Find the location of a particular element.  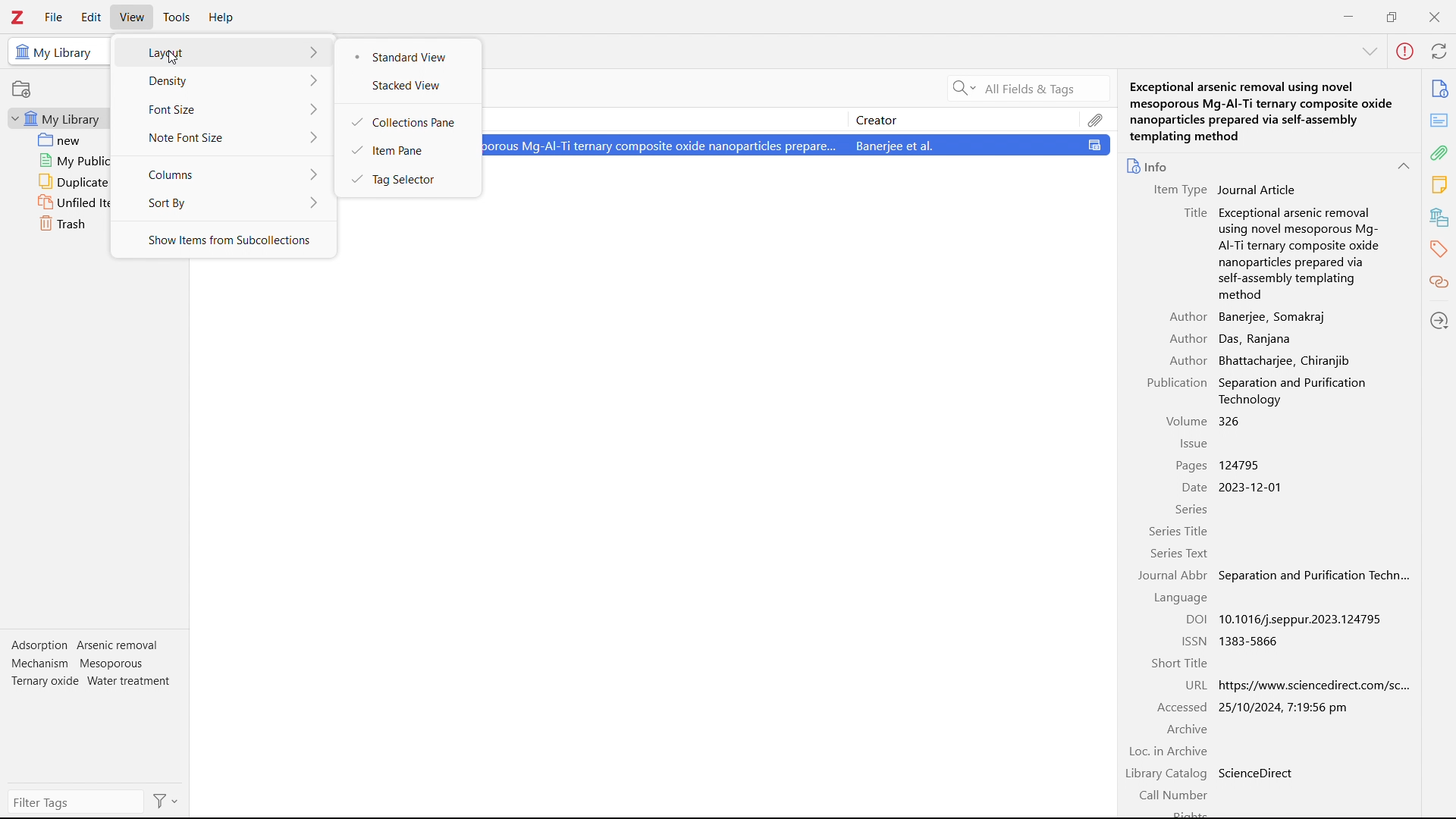

logo is located at coordinates (18, 17).